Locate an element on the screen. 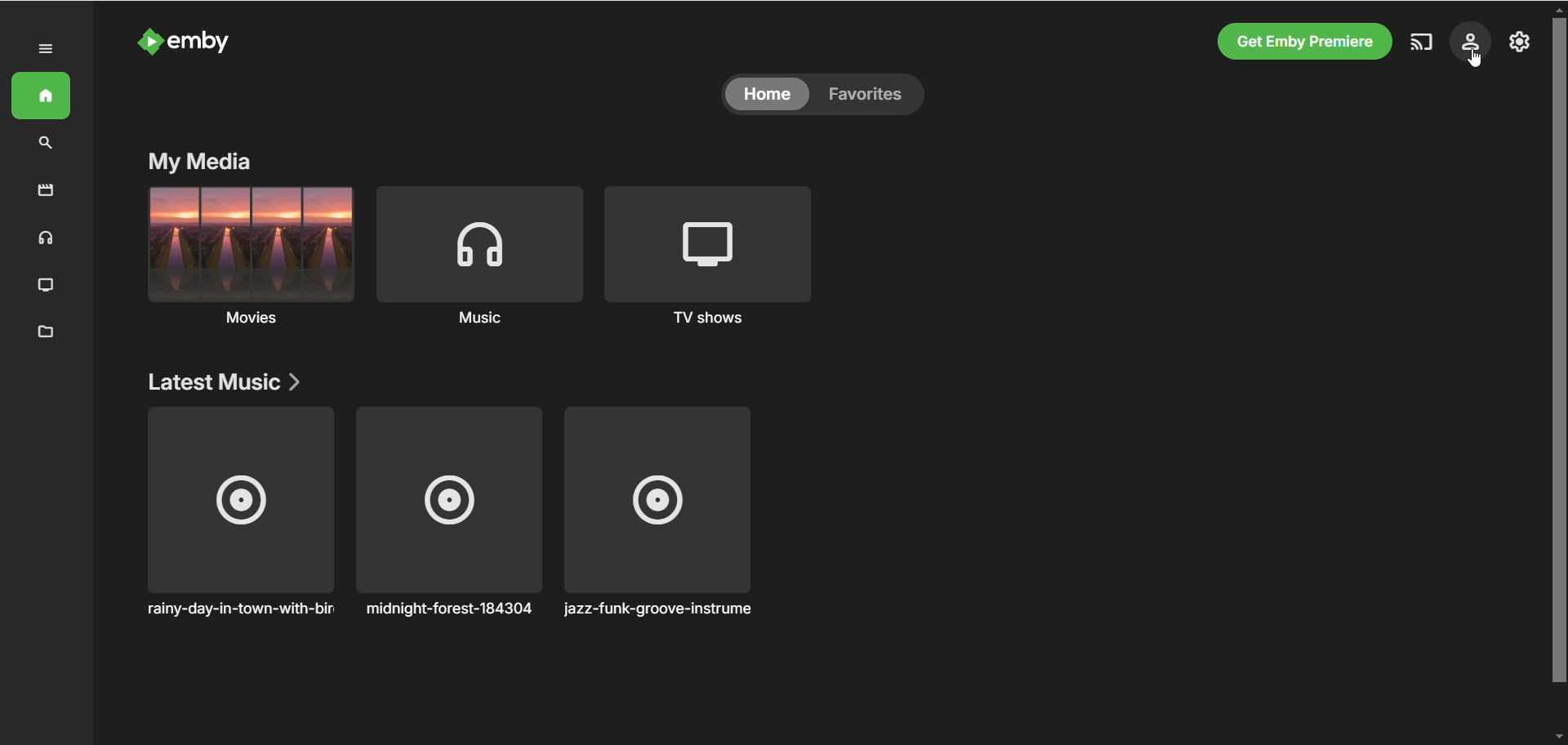 This screenshot has height=745, width=1568. Music is located at coordinates (486, 326).